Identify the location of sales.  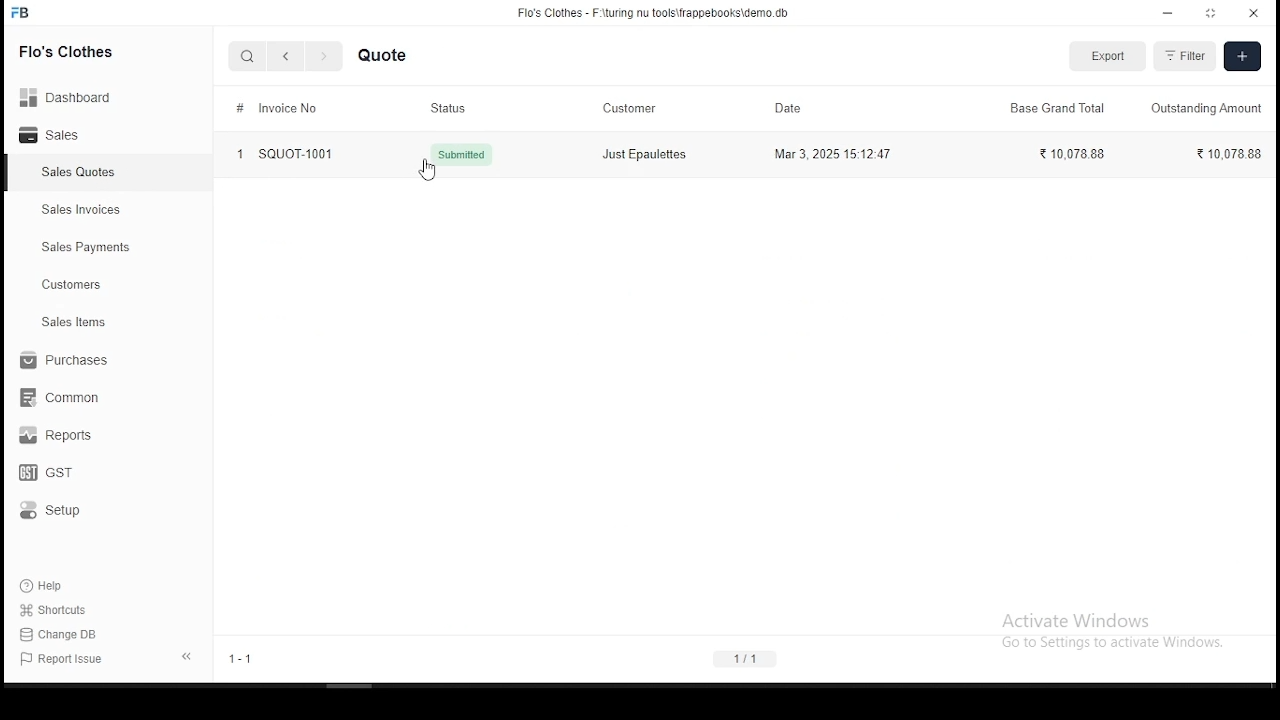
(64, 135).